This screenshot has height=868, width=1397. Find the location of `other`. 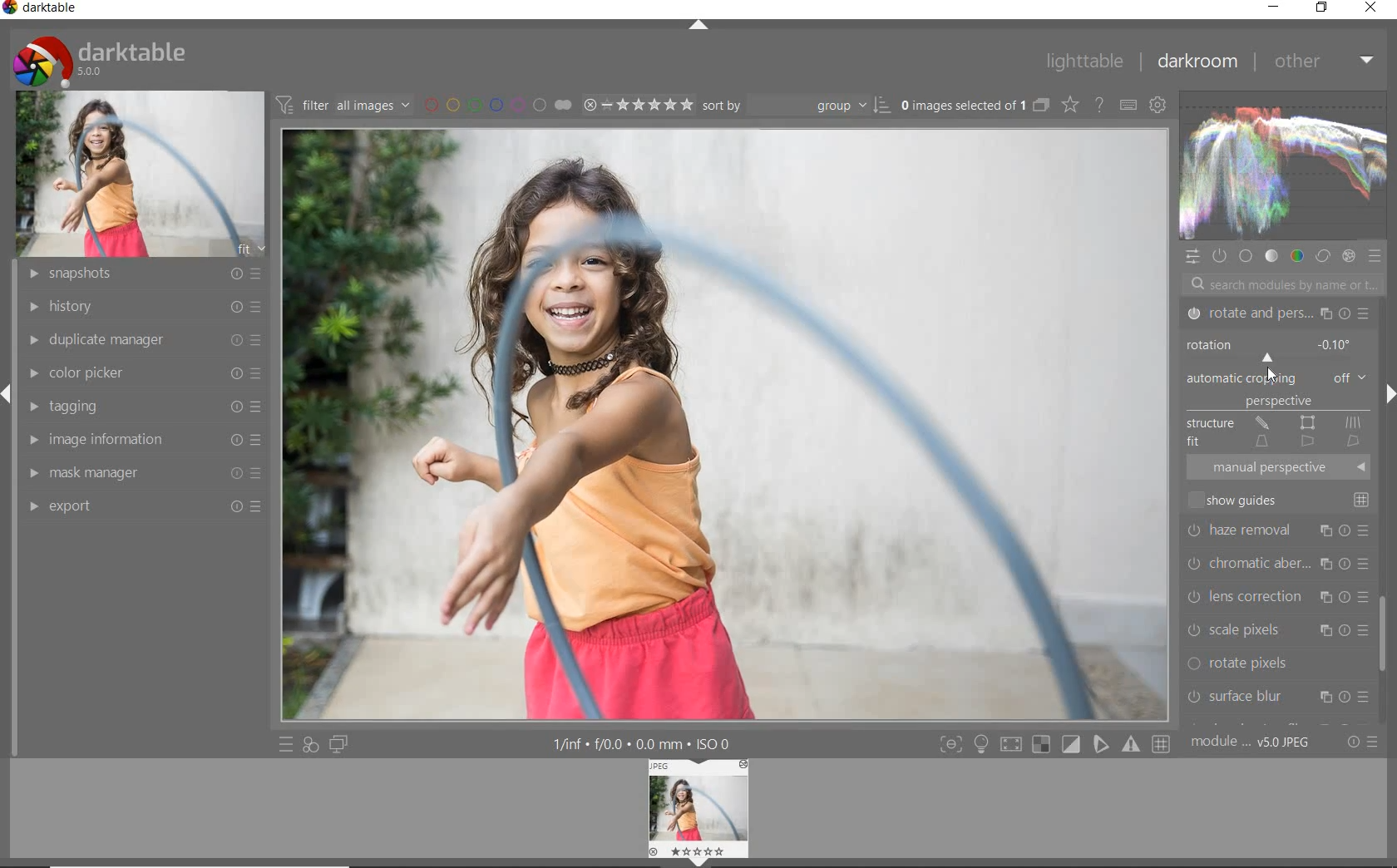

other is located at coordinates (1321, 61).